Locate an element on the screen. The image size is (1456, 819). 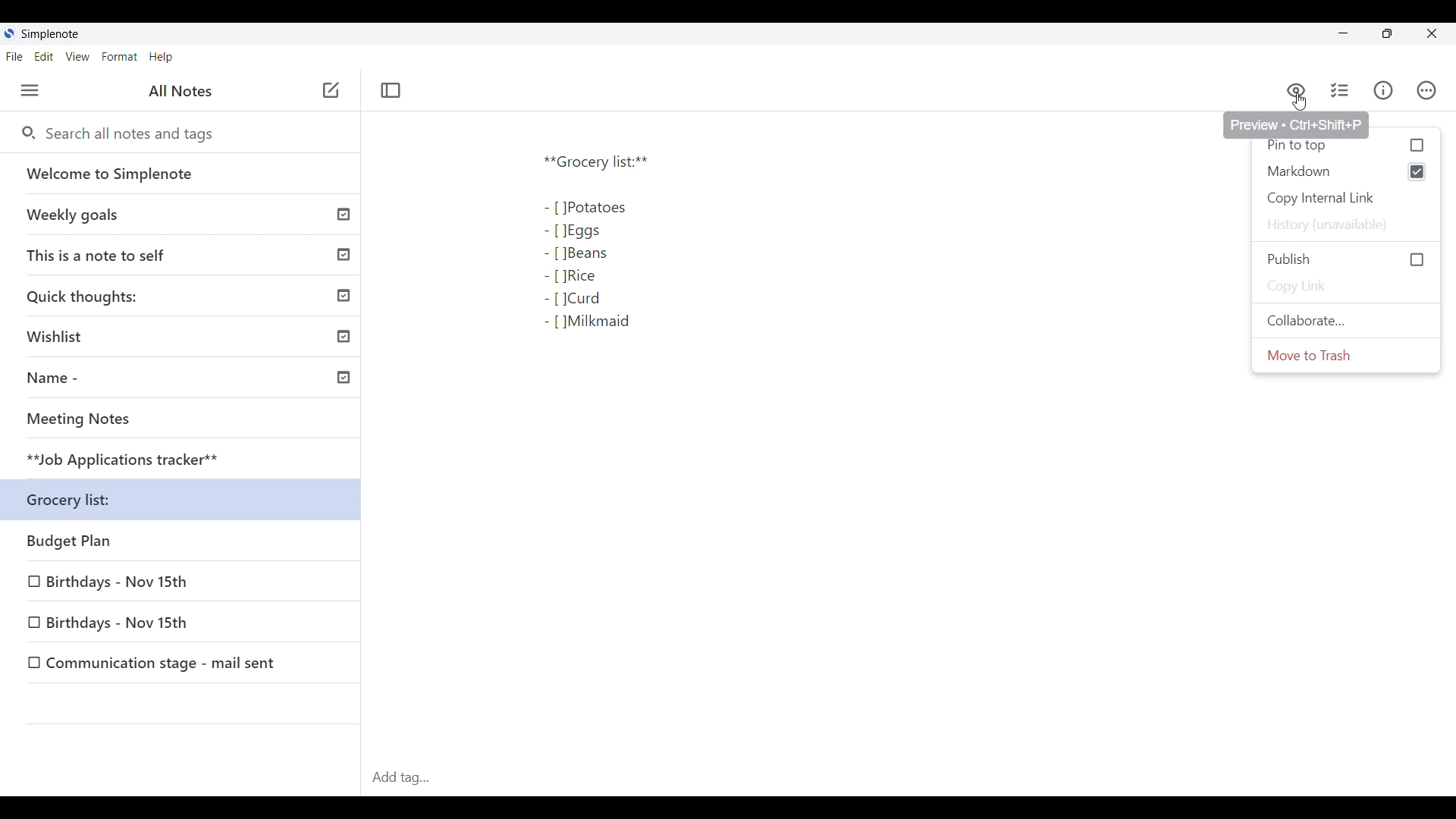
This is a note to self is located at coordinates (186, 256).